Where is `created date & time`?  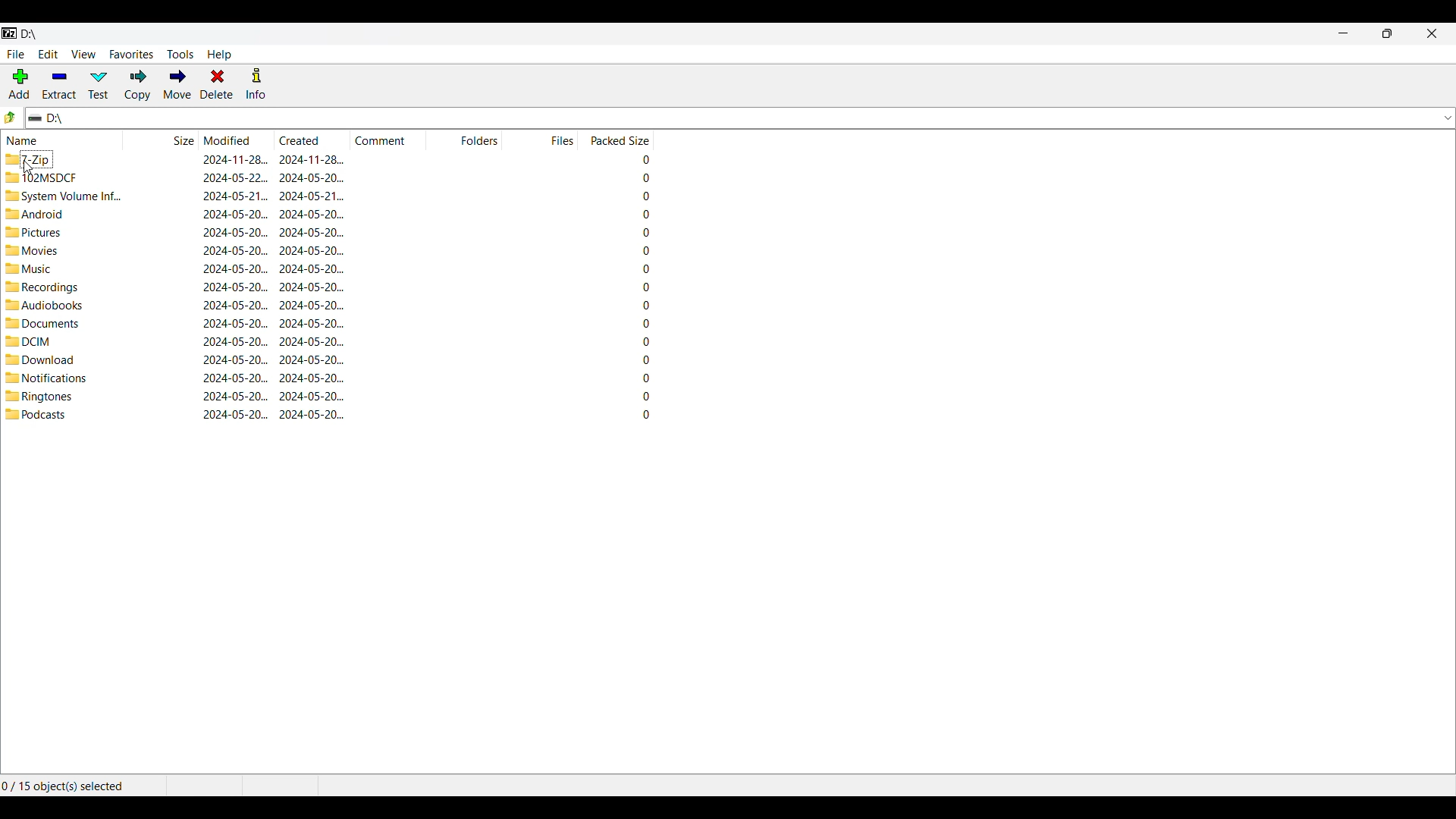
created date & time is located at coordinates (312, 196).